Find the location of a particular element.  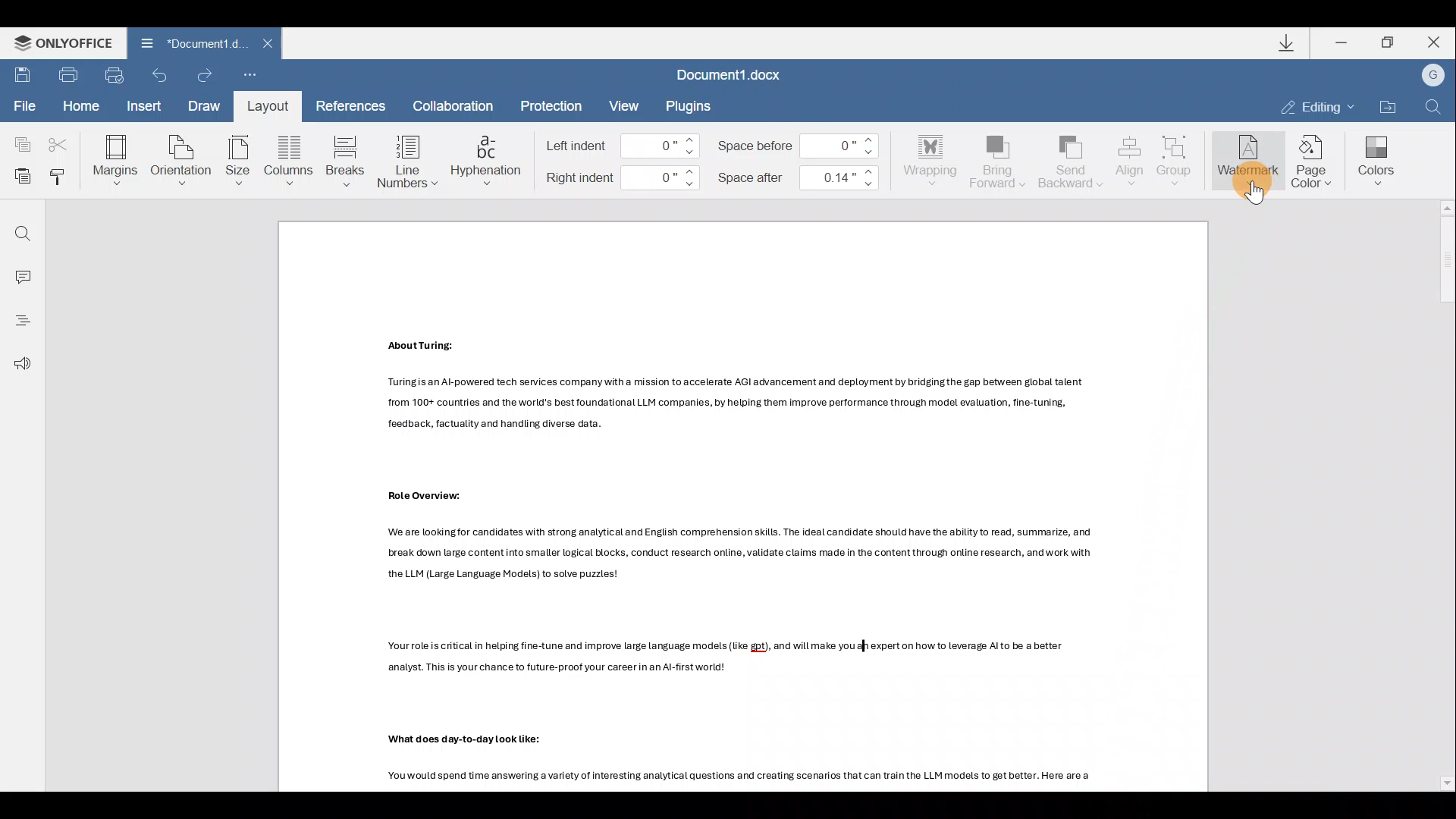

Print file is located at coordinates (64, 76).